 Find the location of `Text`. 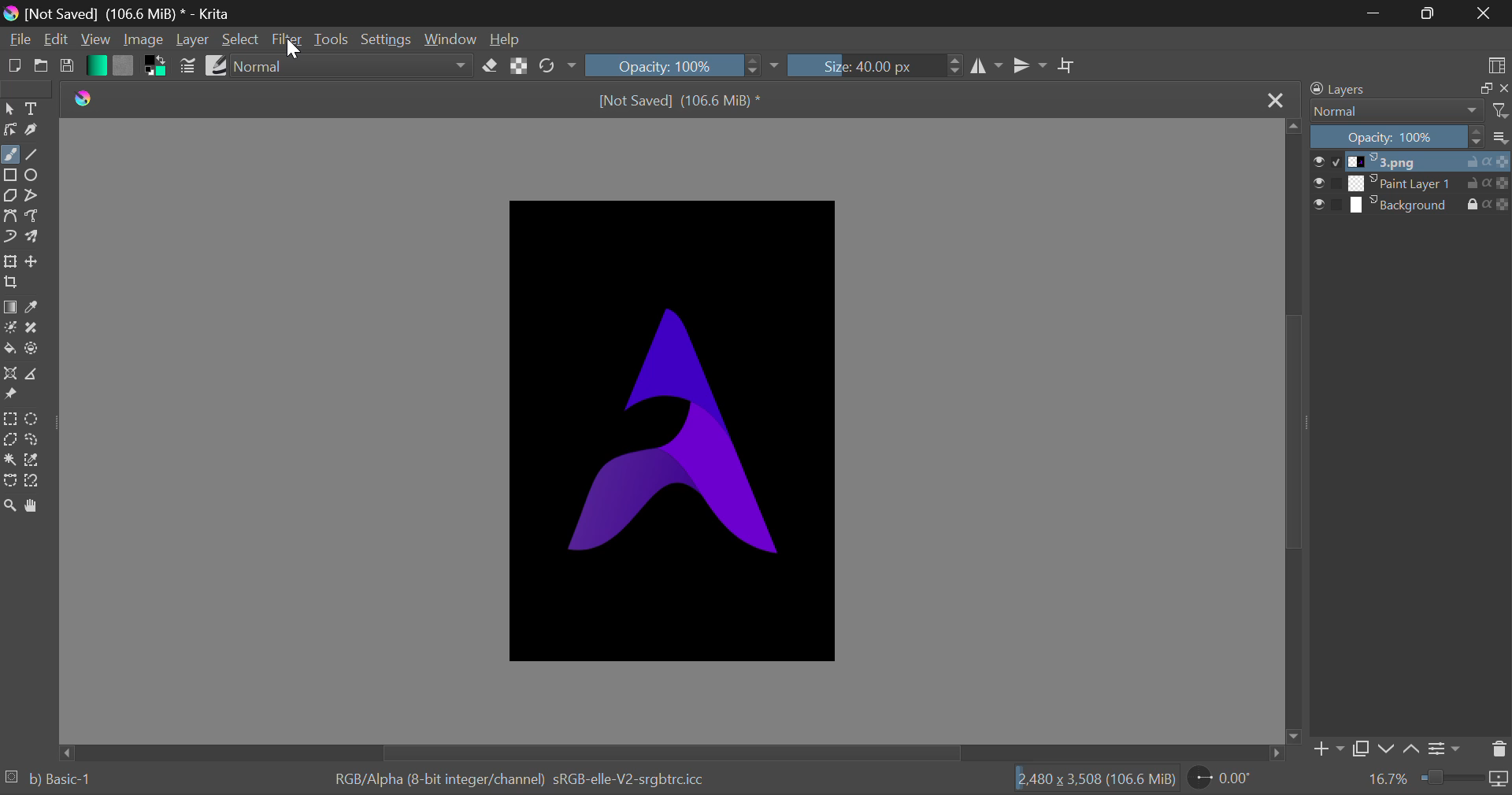

Text is located at coordinates (33, 108).